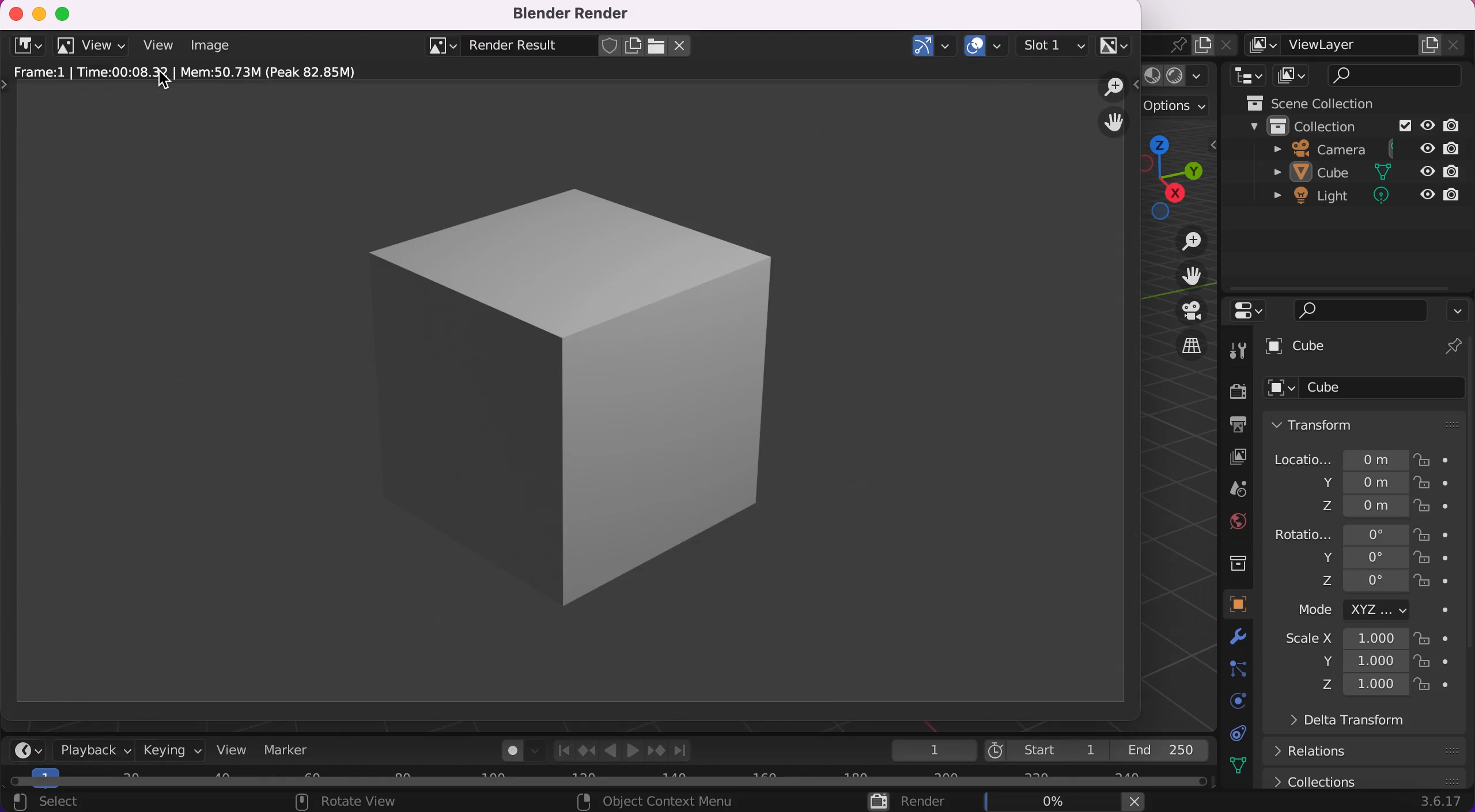 This screenshot has height=812, width=1475. I want to click on collections, so click(1228, 562).